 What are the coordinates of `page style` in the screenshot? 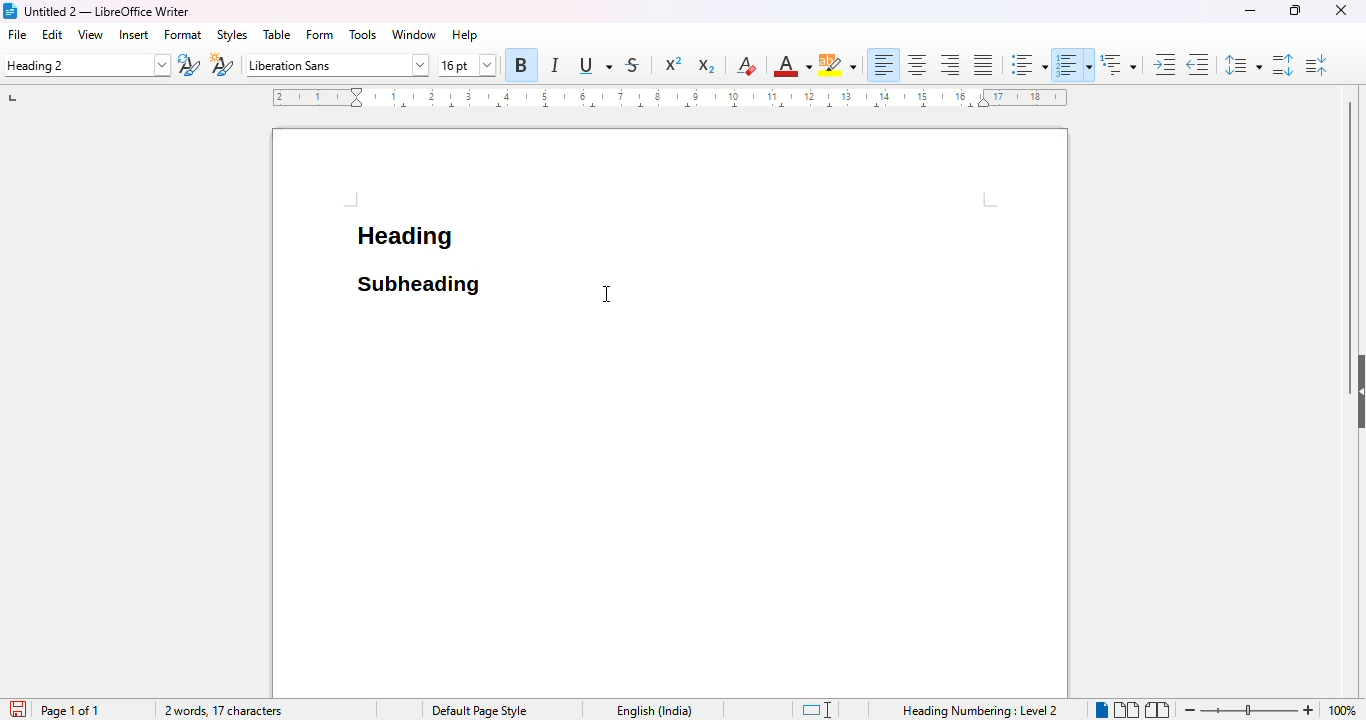 It's located at (479, 710).